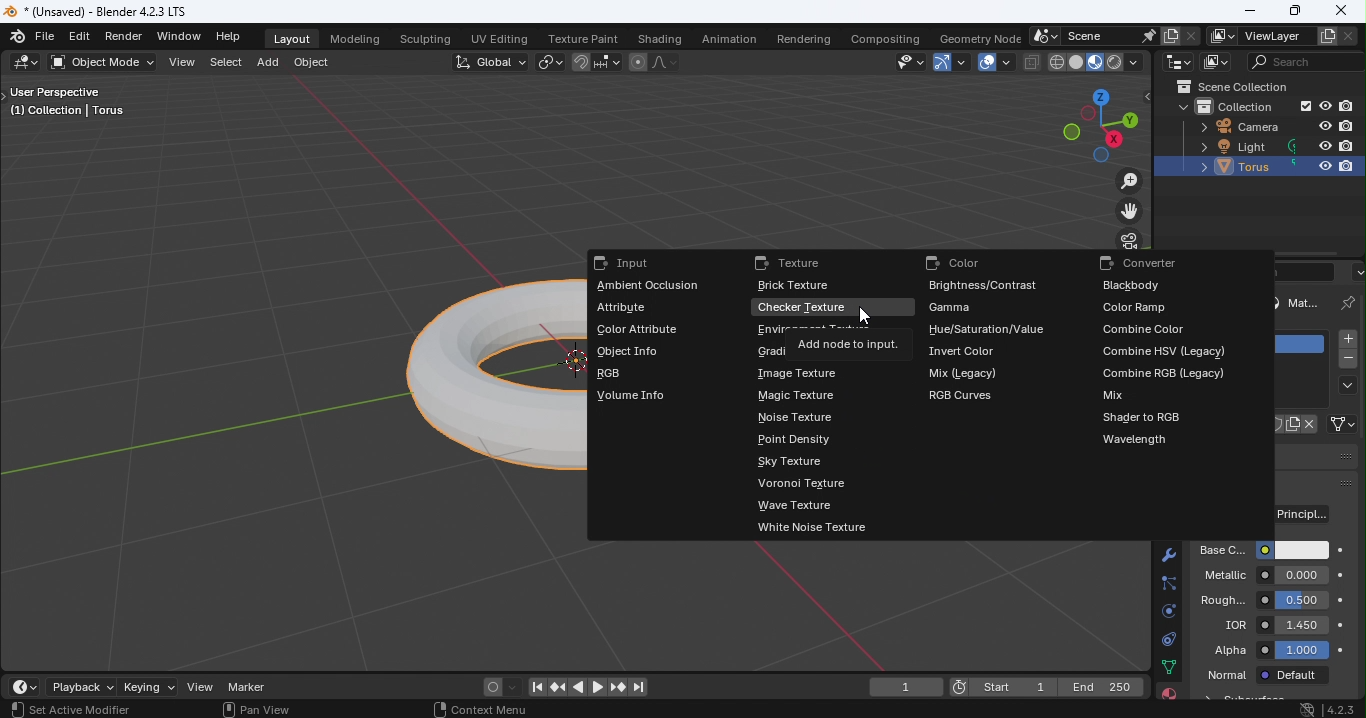  What do you see at coordinates (312, 63) in the screenshot?
I see `Object` at bounding box center [312, 63].